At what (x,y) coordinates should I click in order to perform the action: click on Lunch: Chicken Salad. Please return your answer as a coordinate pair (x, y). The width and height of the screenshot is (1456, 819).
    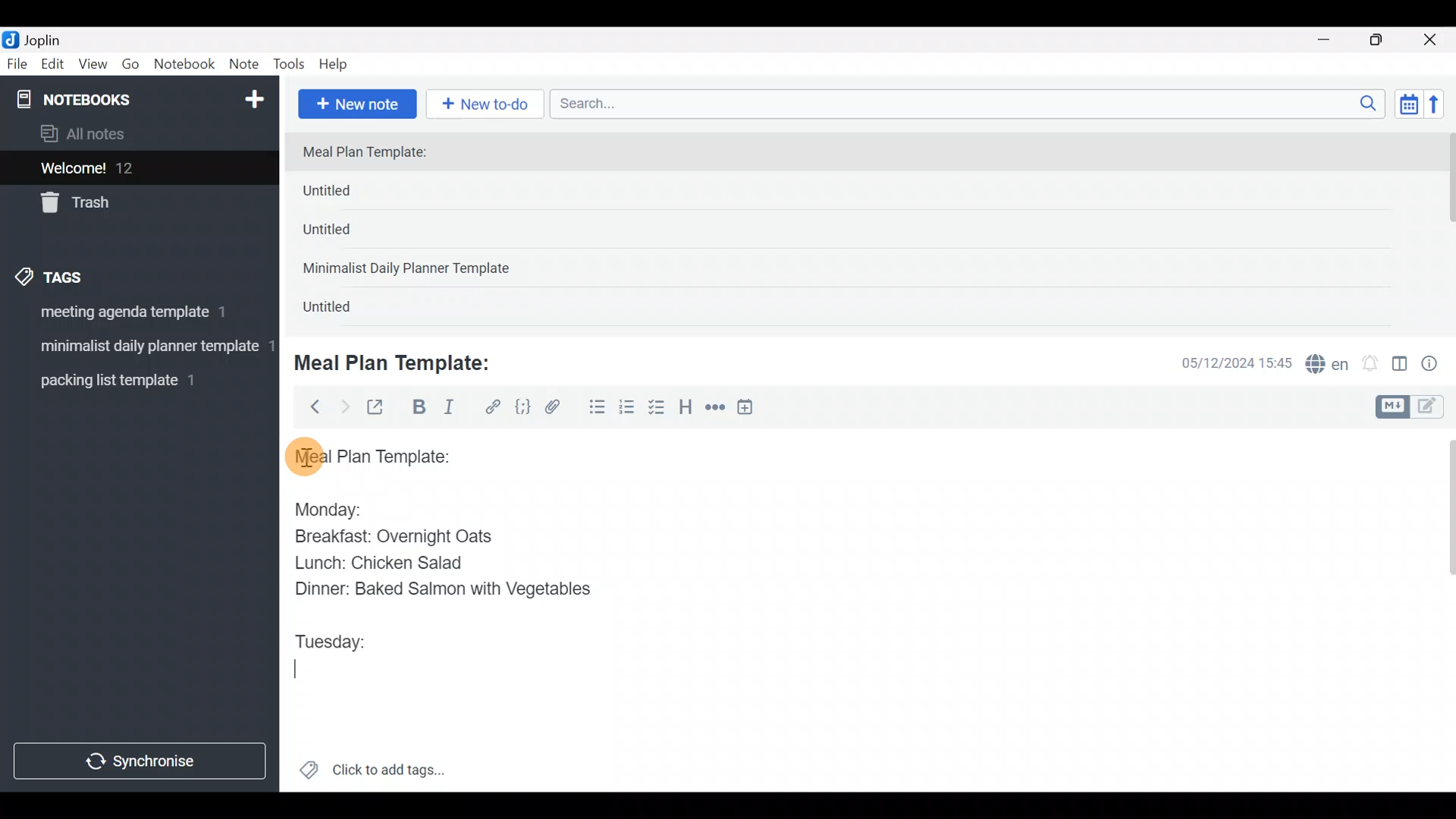
    Looking at the image, I should click on (377, 563).